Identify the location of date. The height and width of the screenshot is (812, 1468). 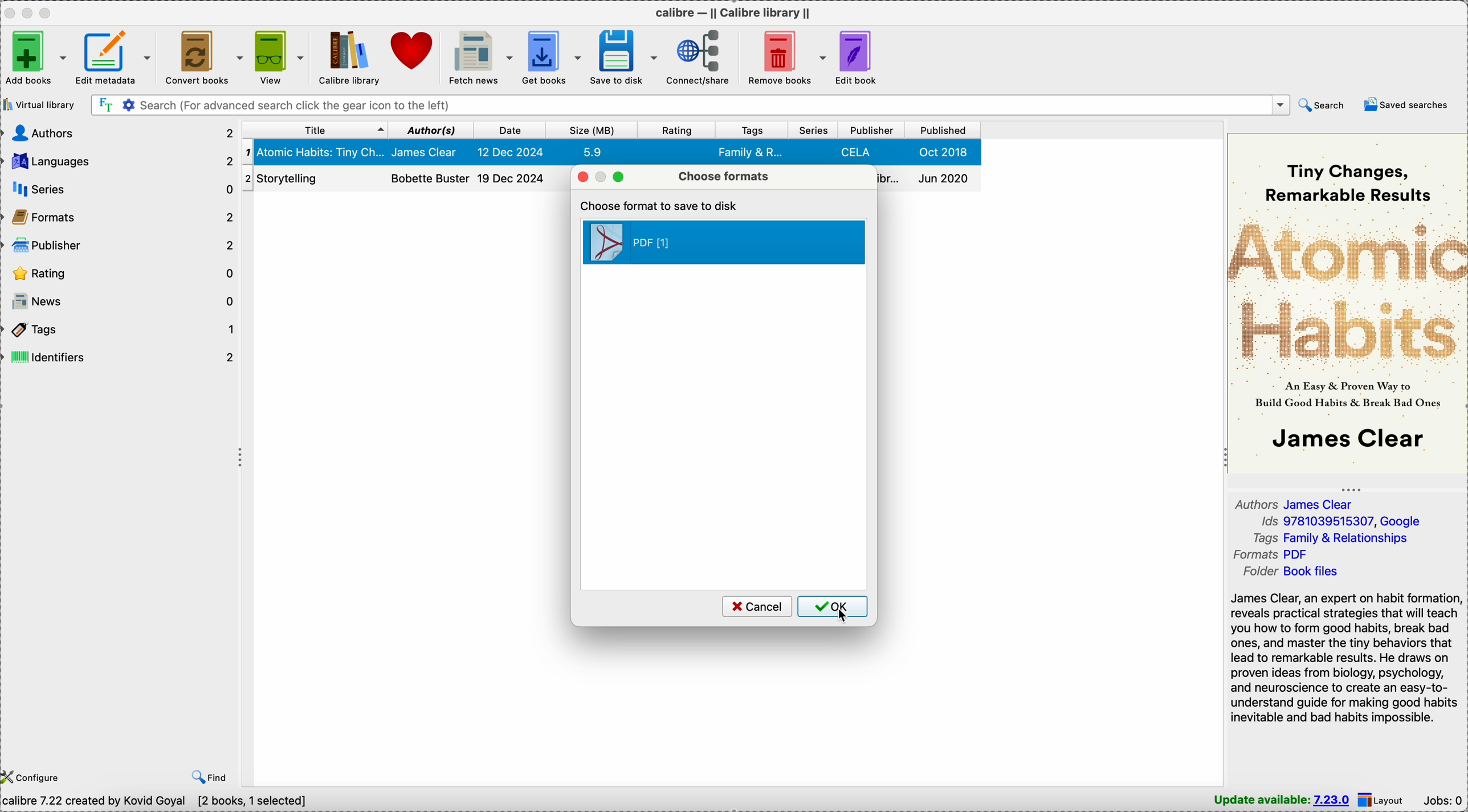
(511, 130).